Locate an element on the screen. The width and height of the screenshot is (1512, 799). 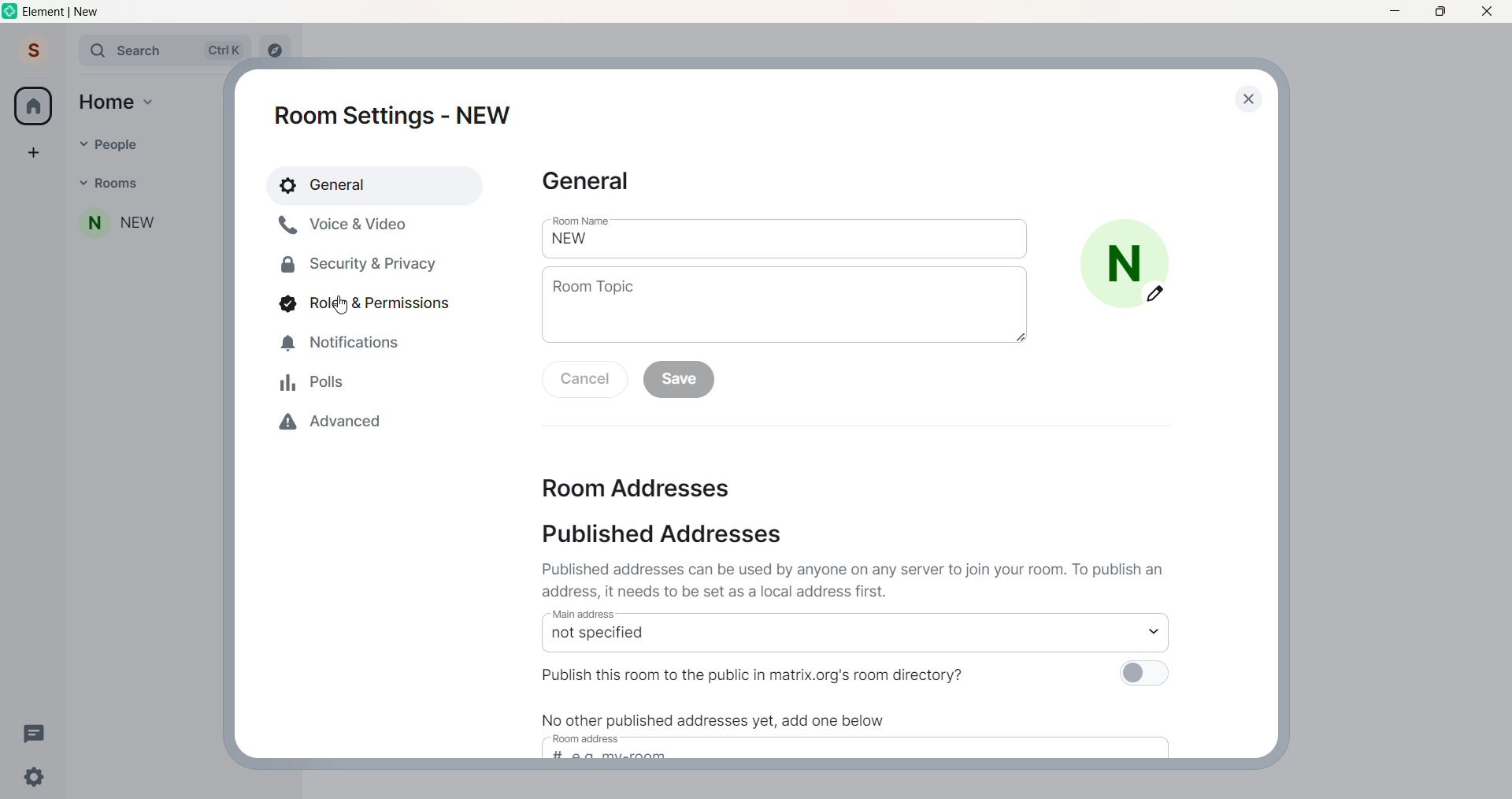
save is located at coordinates (682, 382).